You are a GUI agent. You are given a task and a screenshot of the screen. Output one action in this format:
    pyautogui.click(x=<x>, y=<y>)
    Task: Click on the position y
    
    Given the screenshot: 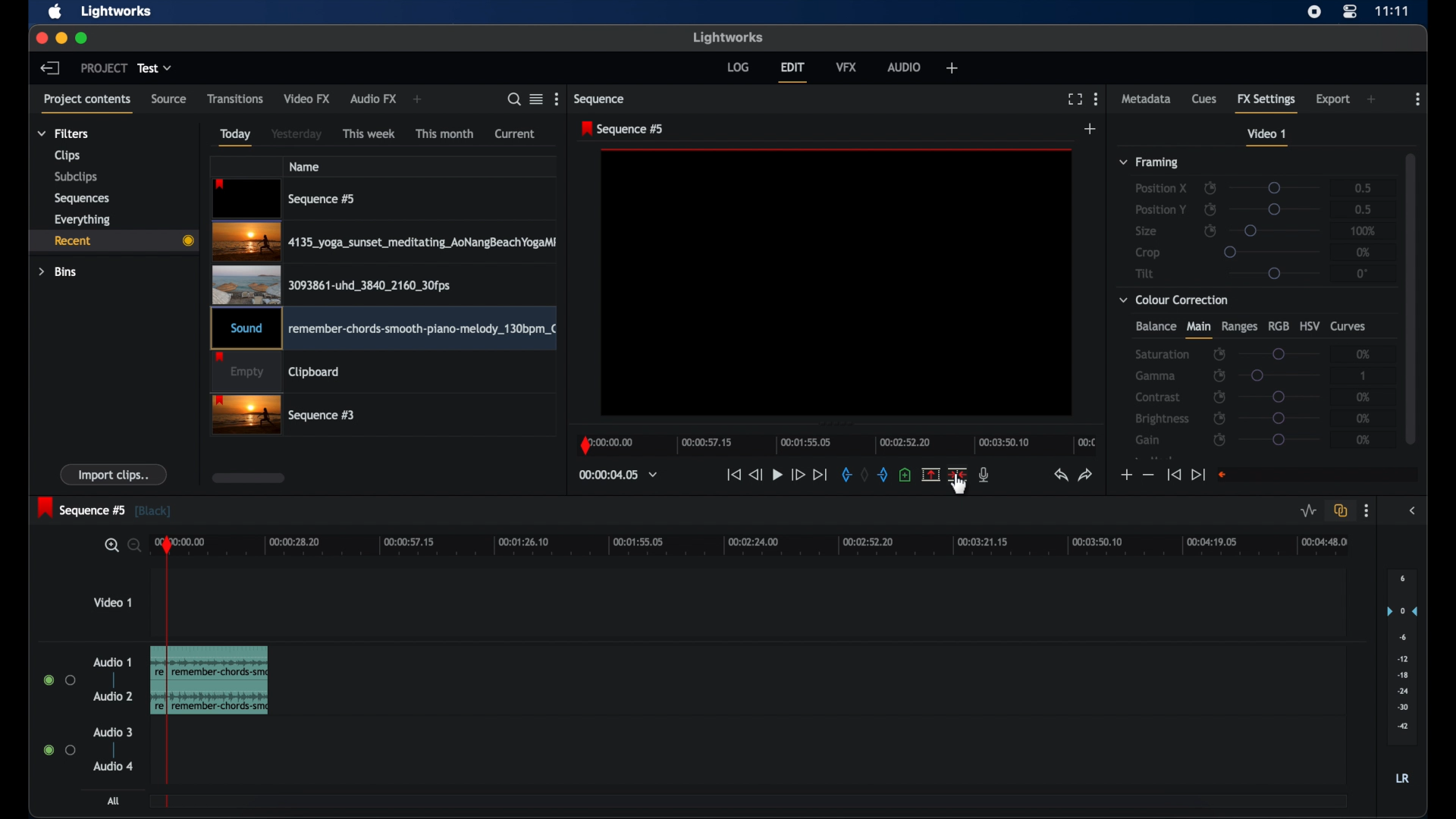 What is the action you would take?
    pyautogui.click(x=1160, y=209)
    